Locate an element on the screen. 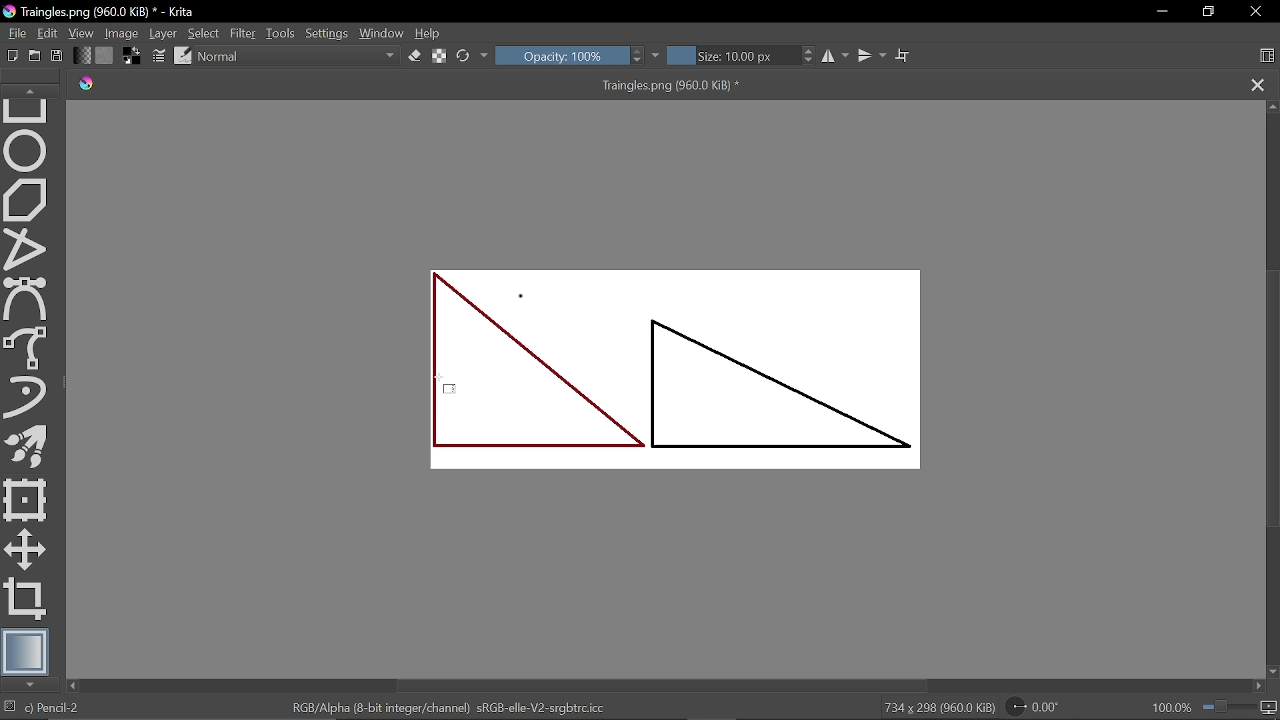  Vertical mirror is located at coordinates (872, 58).